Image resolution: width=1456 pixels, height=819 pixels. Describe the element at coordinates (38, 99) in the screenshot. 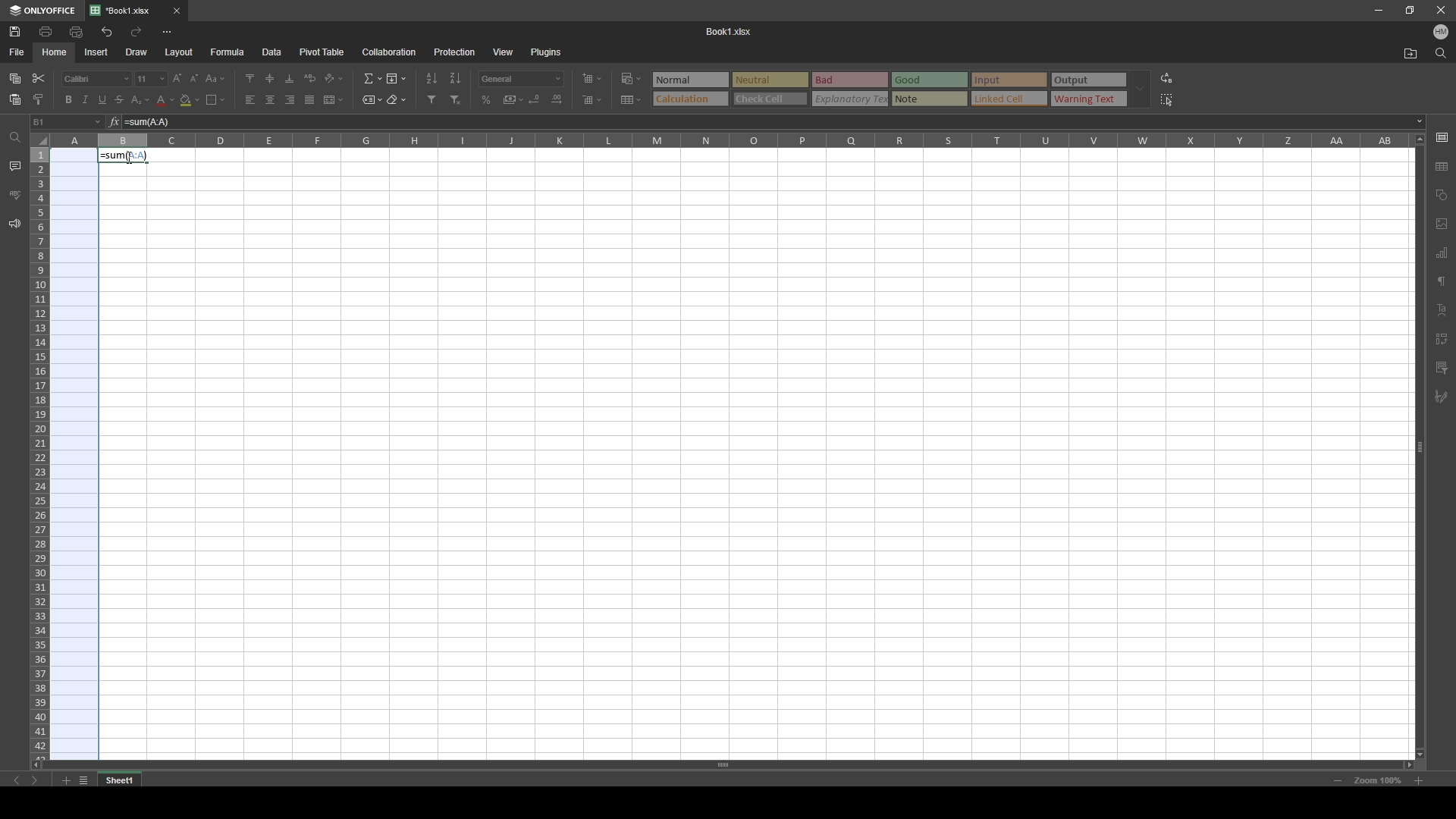

I see `copy style` at that location.